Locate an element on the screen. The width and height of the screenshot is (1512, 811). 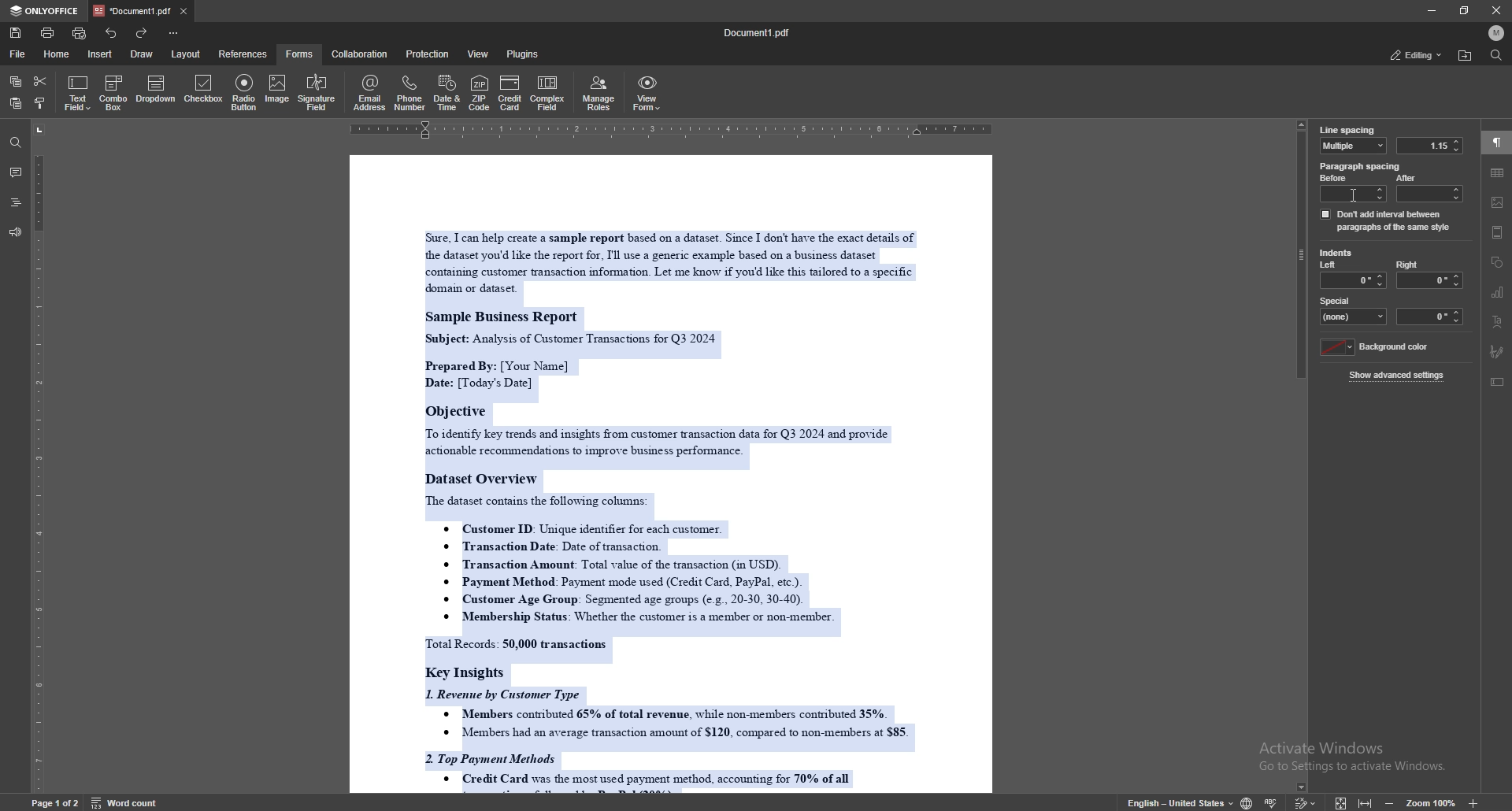
spell check is located at coordinates (1273, 801).